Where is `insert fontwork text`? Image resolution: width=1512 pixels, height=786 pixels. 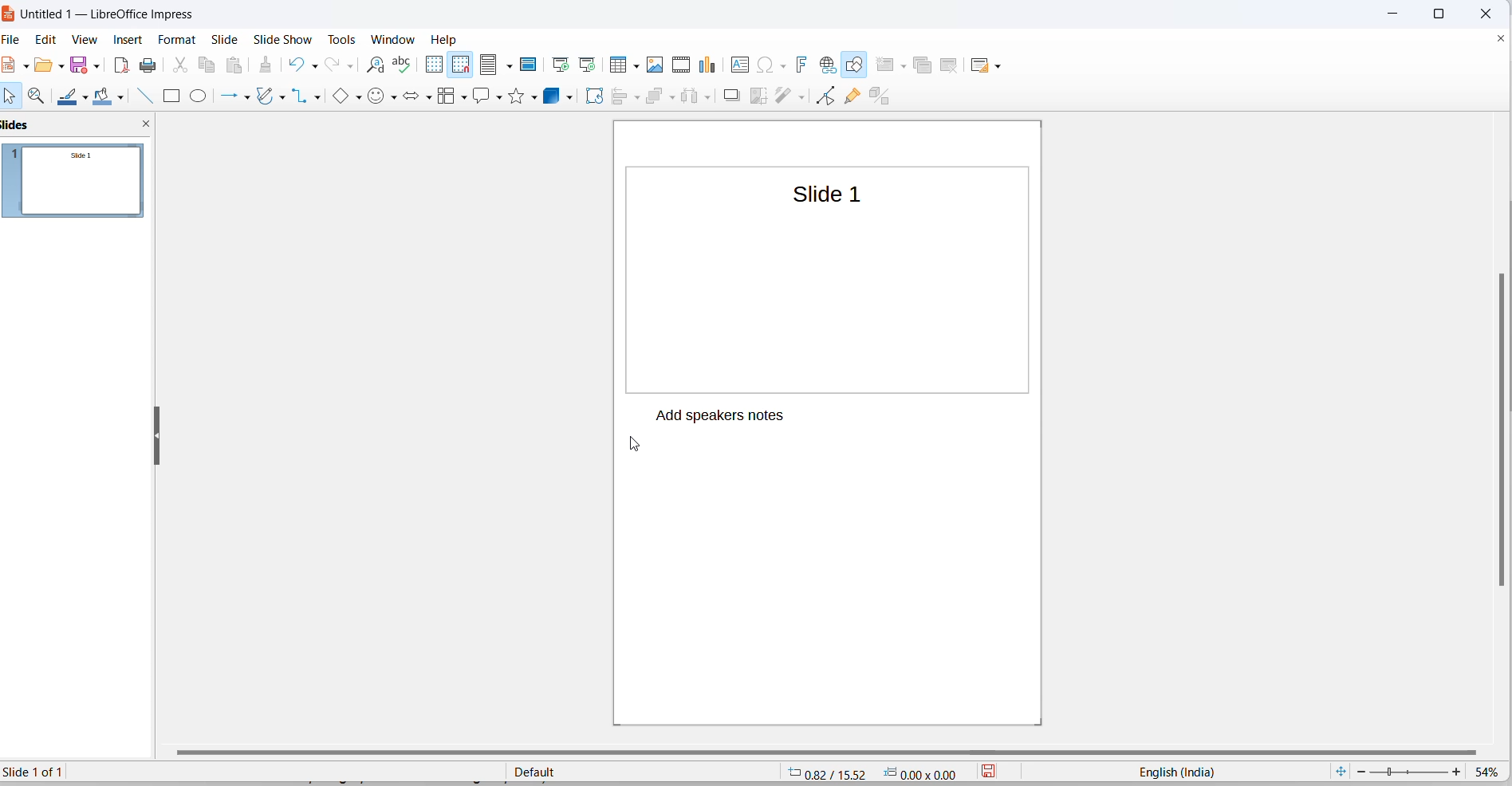
insert fontwork text is located at coordinates (803, 65).